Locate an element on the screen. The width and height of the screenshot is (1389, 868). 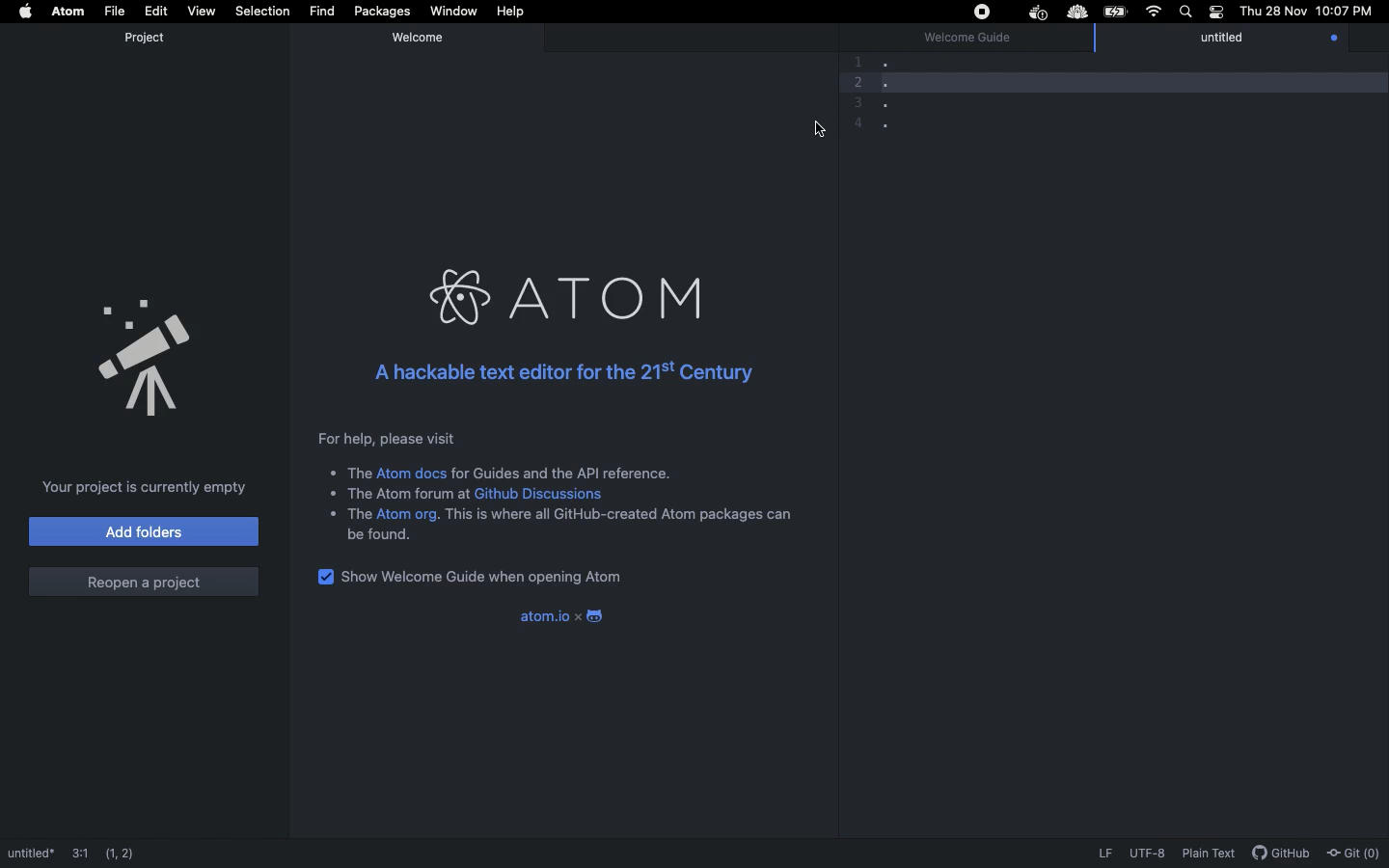
text is located at coordinates (350, 474).